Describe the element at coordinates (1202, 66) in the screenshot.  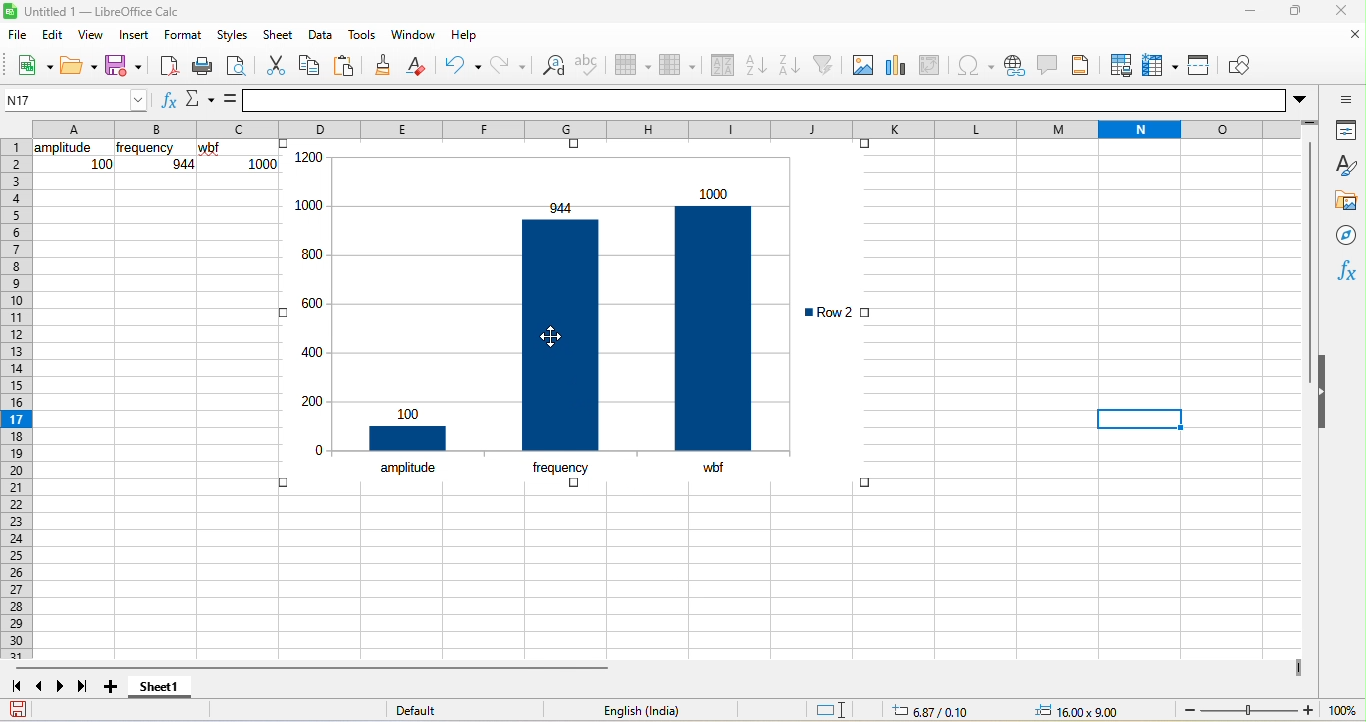
I see `split window` at that location.